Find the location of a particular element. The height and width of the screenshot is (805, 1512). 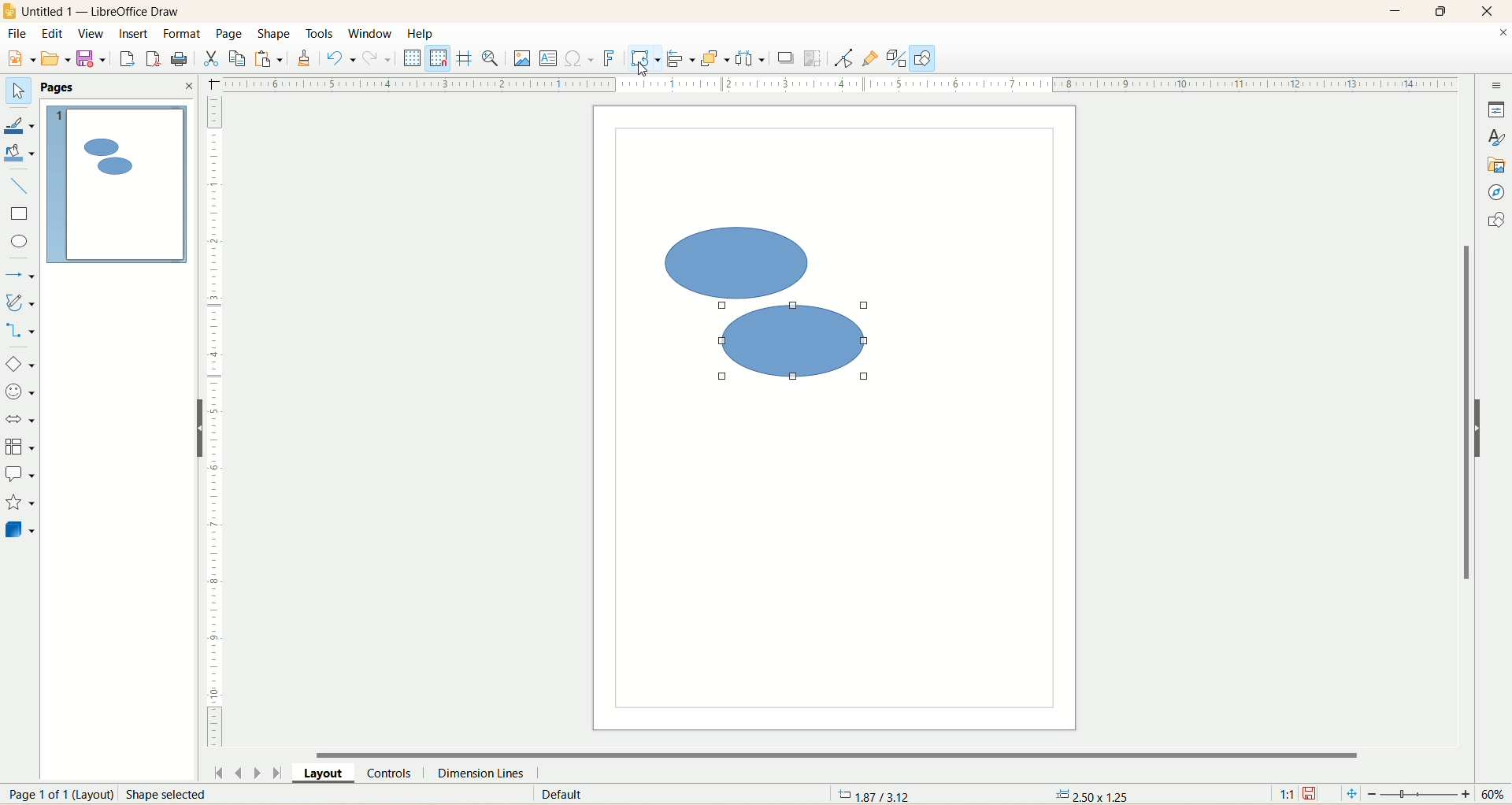

open is located at coordinates (54, 57).